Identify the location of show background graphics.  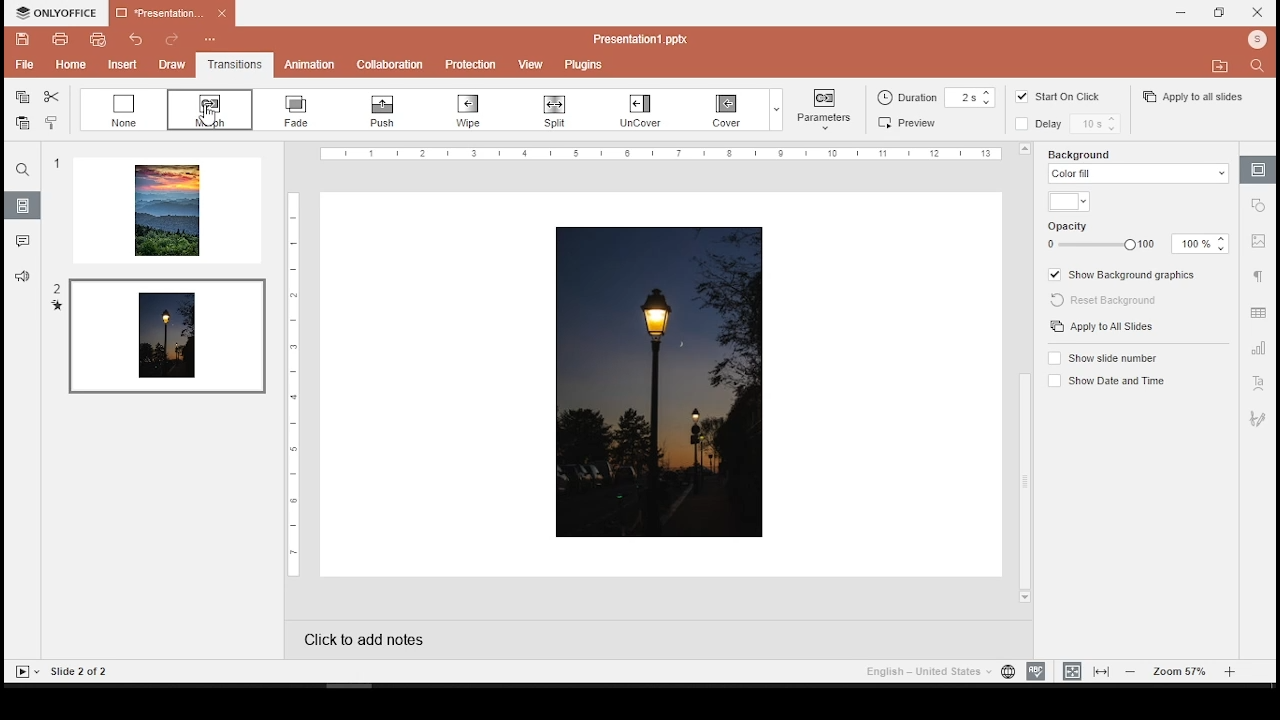
(1125, 274).